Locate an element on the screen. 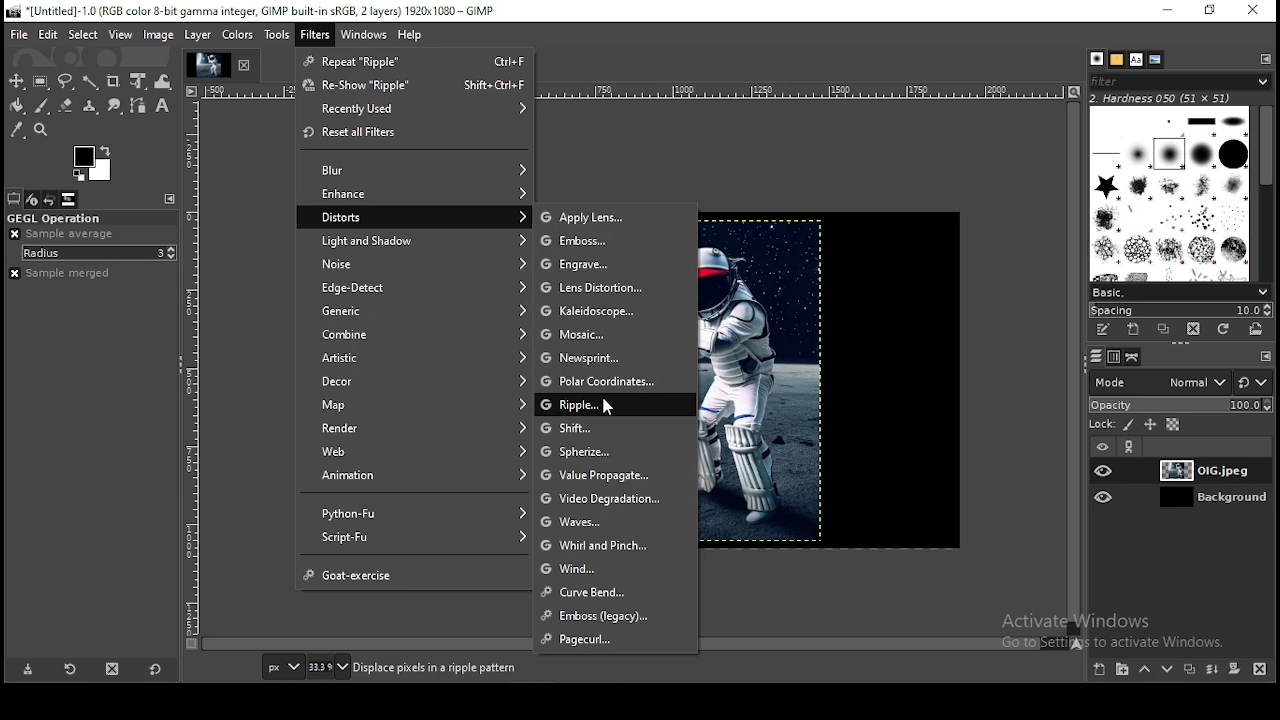  Task Display is located at coordinates (207, 60).